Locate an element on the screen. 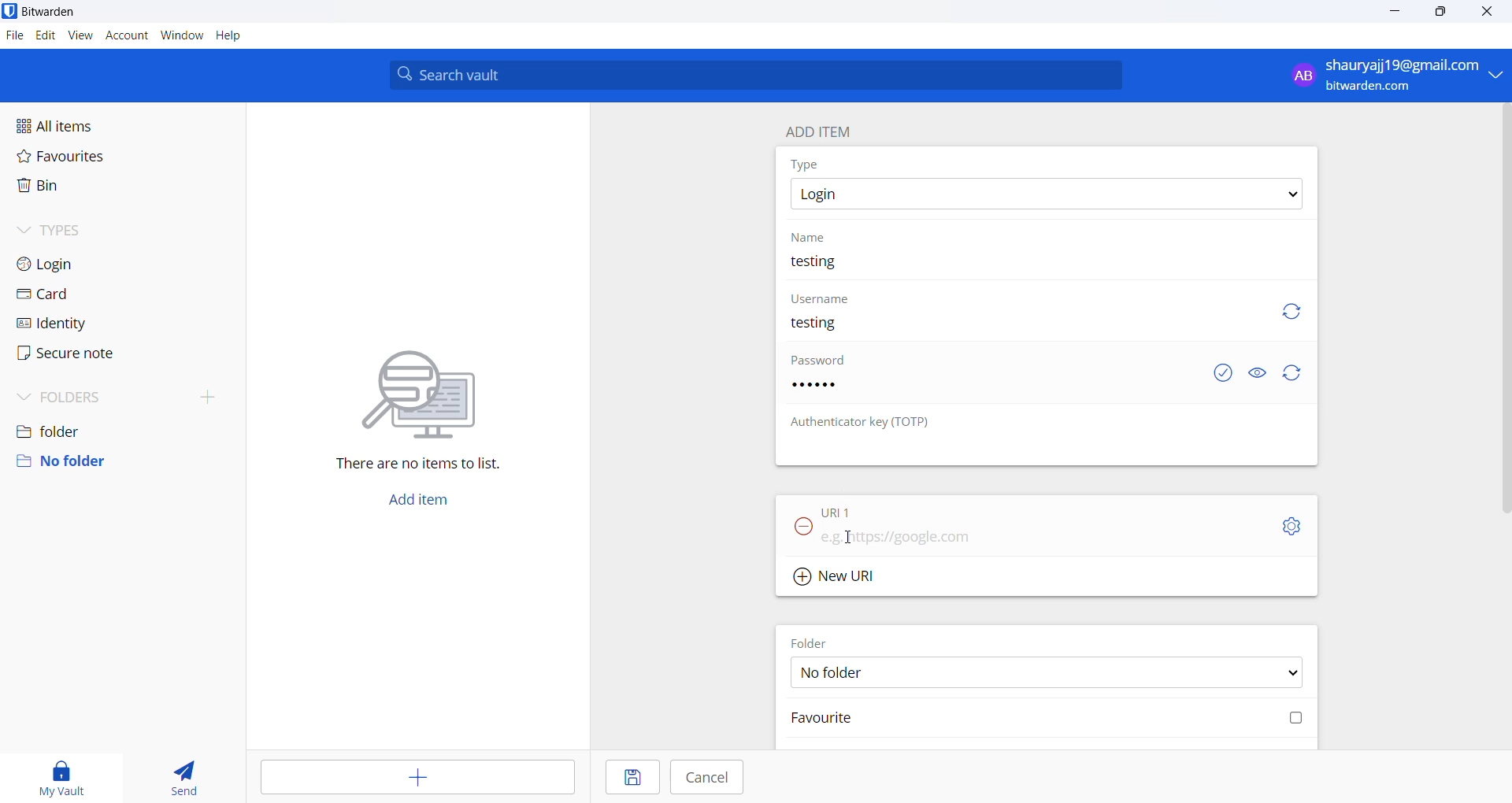  URL setting is located at coordinates (1284, 525).